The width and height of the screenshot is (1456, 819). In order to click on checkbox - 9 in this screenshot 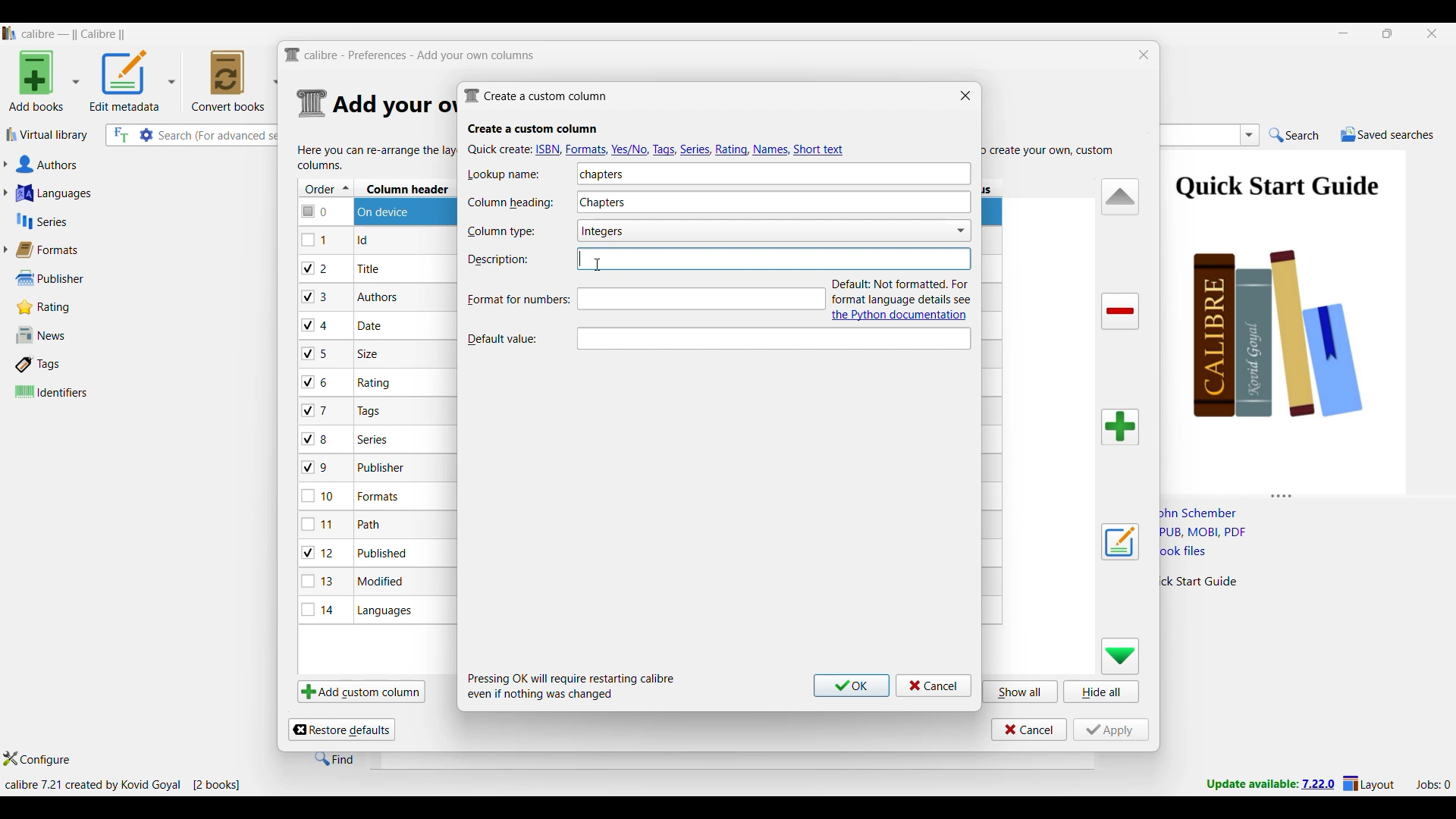, I will do `click(315, 468)`.